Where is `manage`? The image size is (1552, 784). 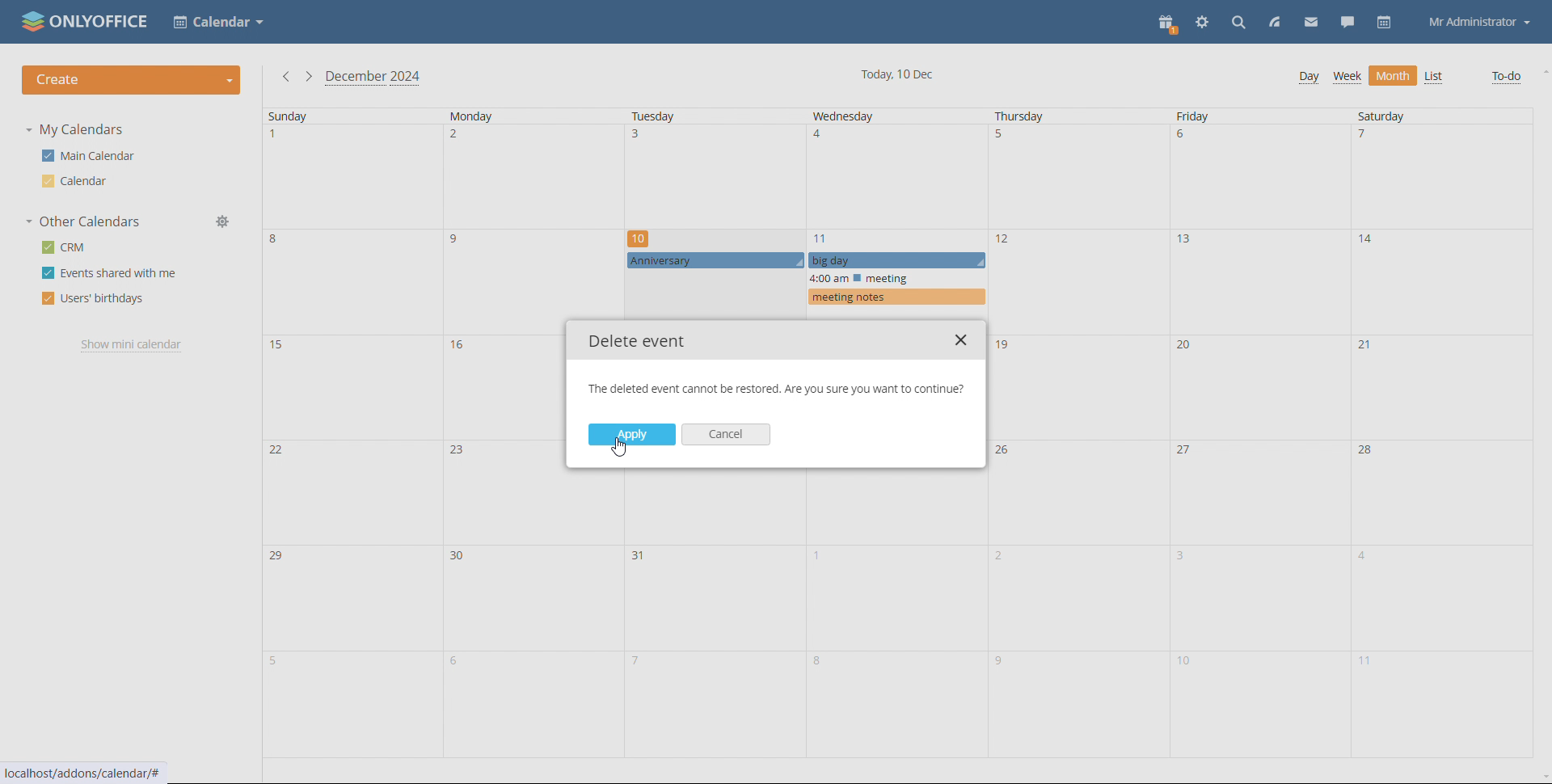
manage is located at coordinates (224, 221).